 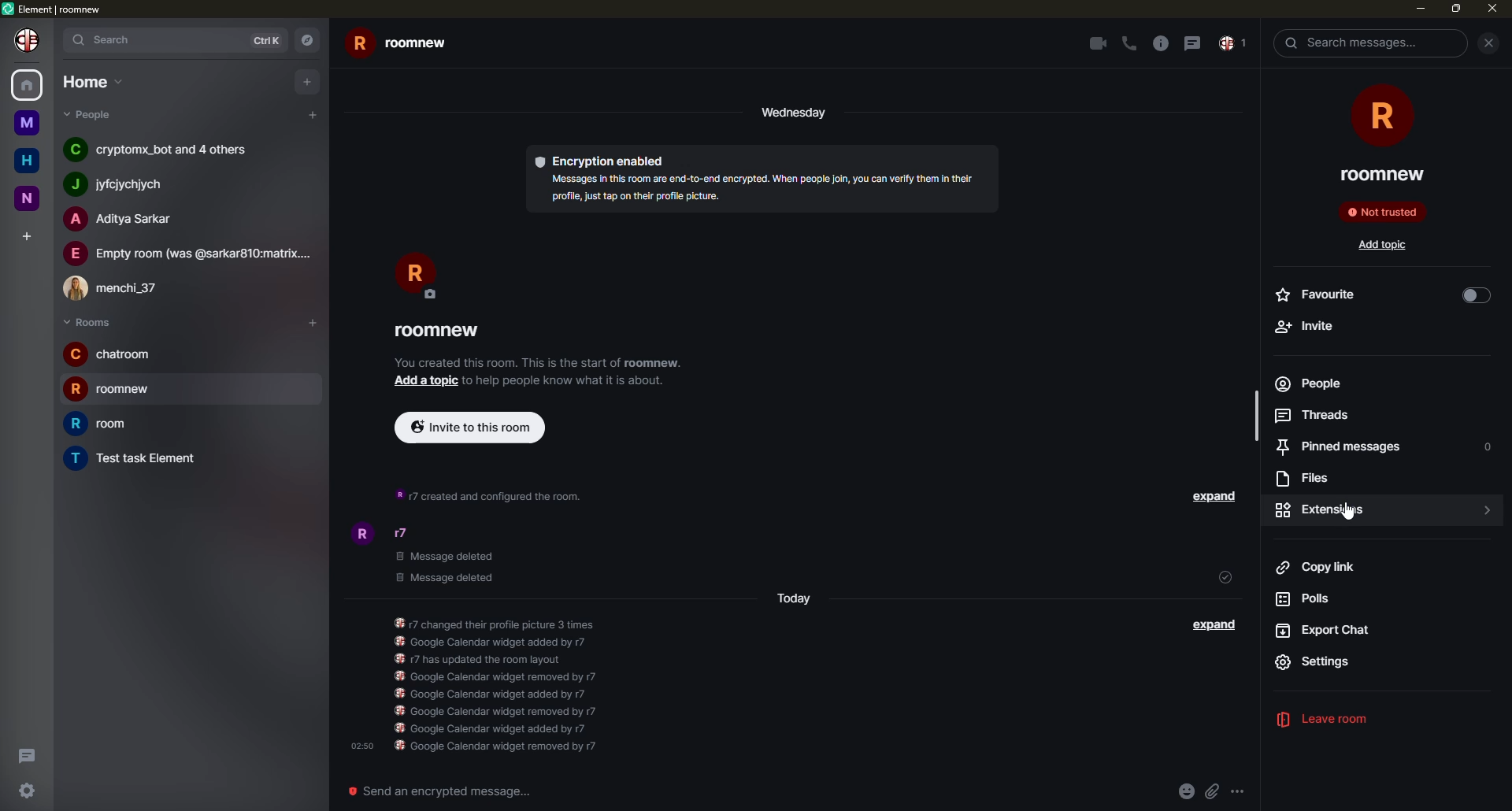 What do you see at coordinates (487, 494) in the screenshot?
I see `info` at bounding box center [487, 494].